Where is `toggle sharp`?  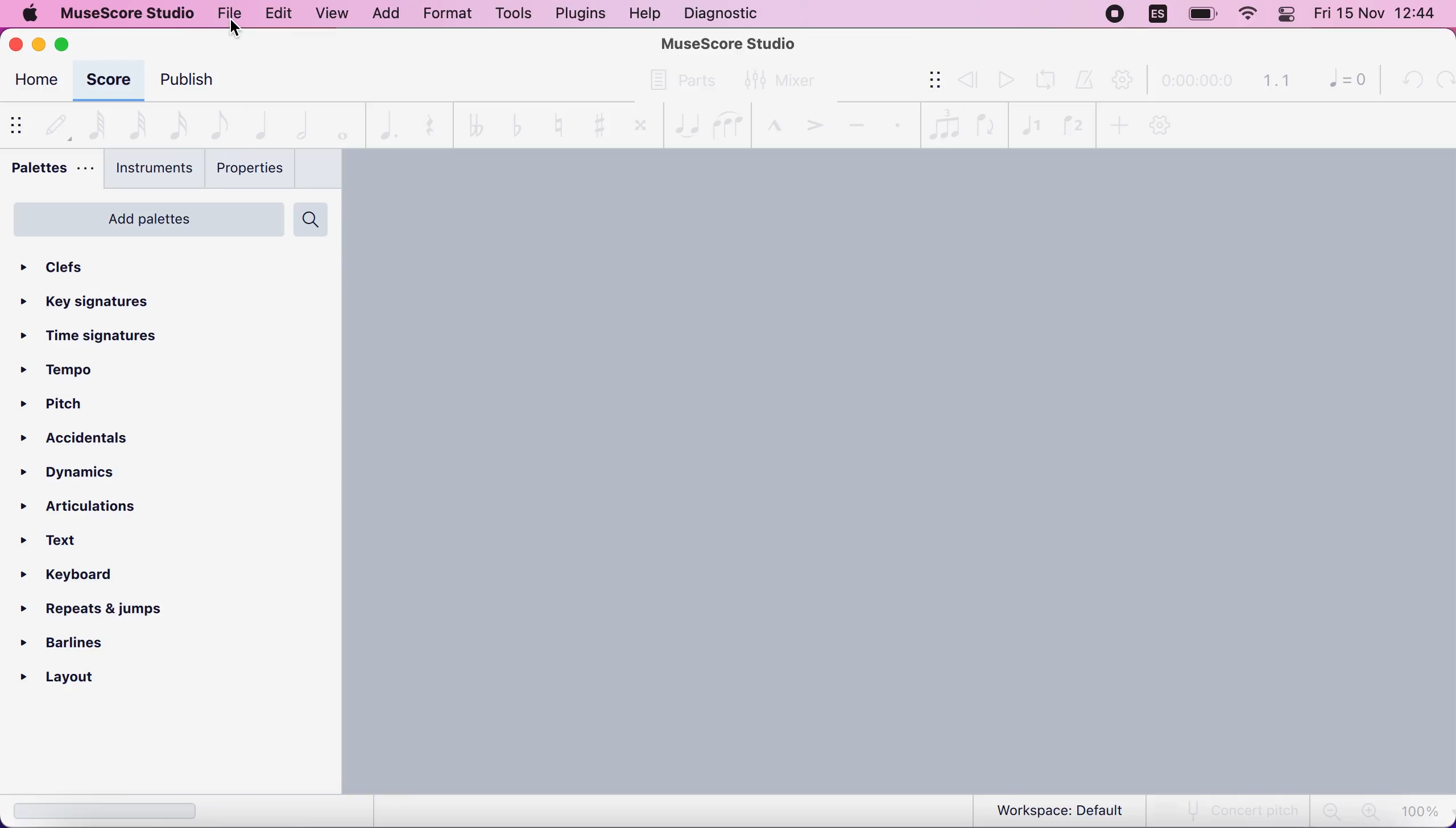
toggle sharp is located at coordinates (595, 124).